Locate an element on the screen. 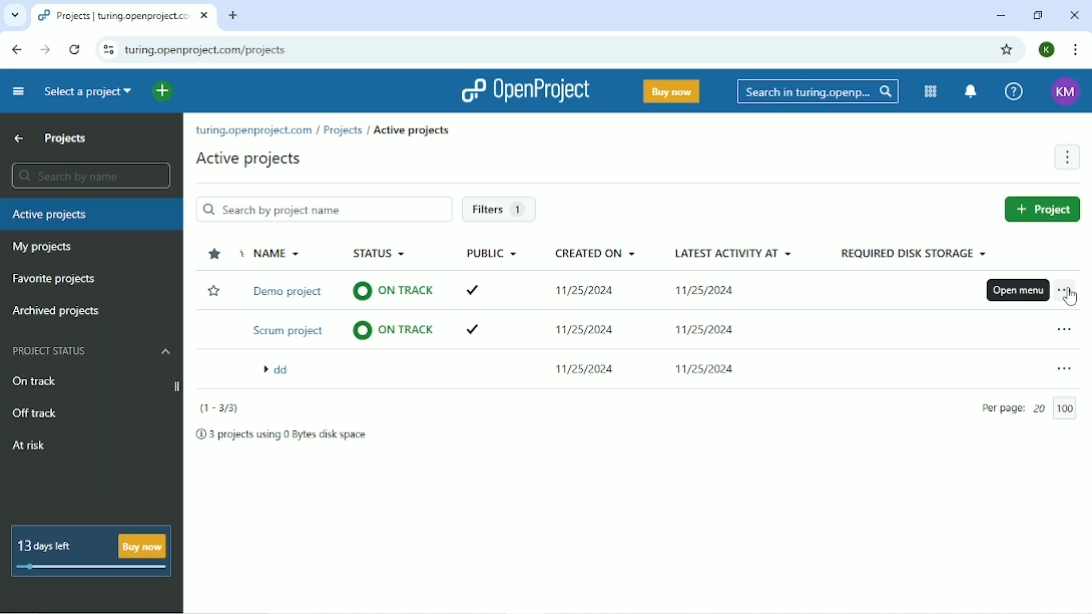  cursor is located at coordinates (1070, 300).